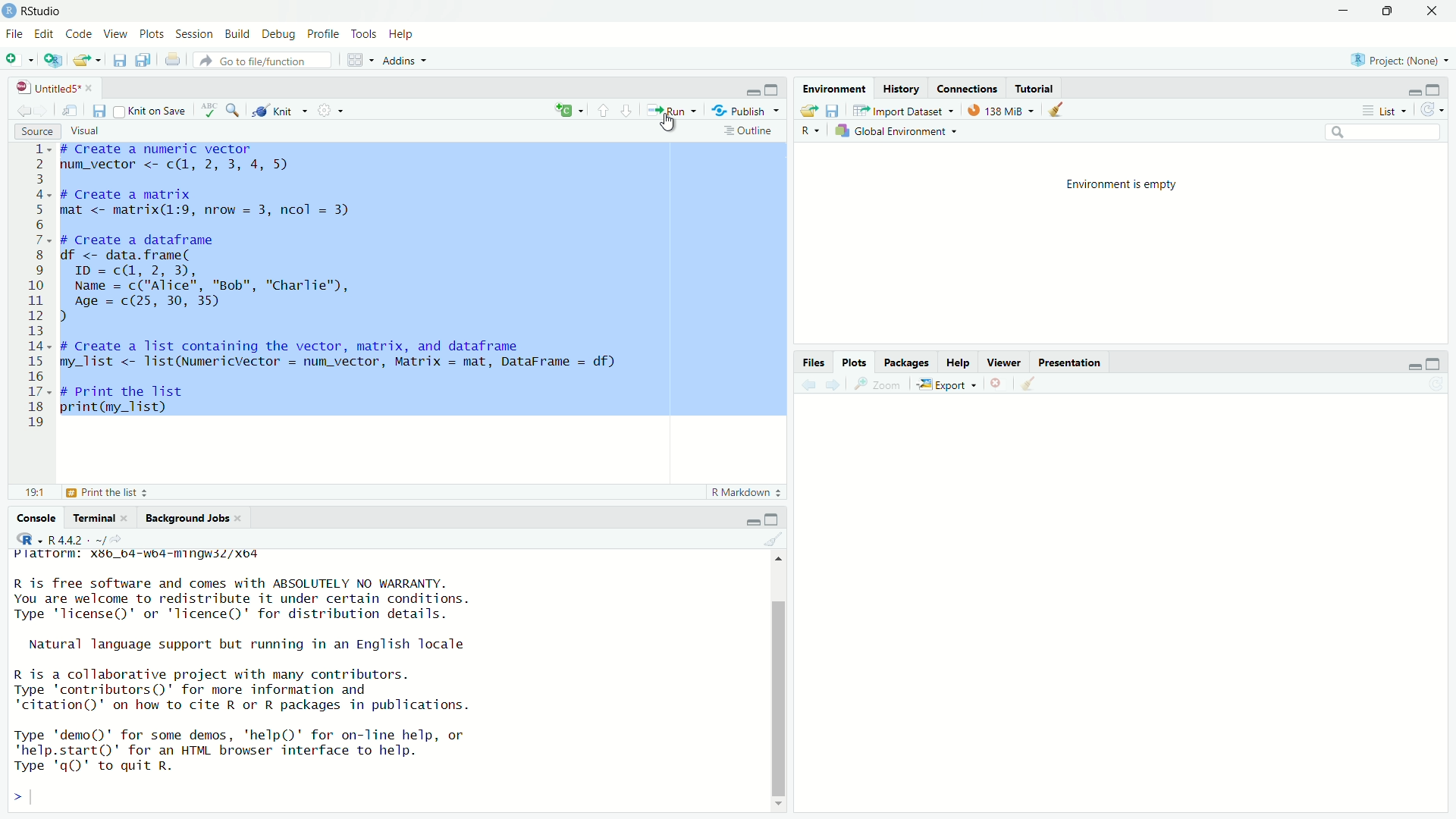 This screenshot has height=819, width=1456. Describe the element at coordinates (857, 362) in the screenshot. I see `Plots` at that location.